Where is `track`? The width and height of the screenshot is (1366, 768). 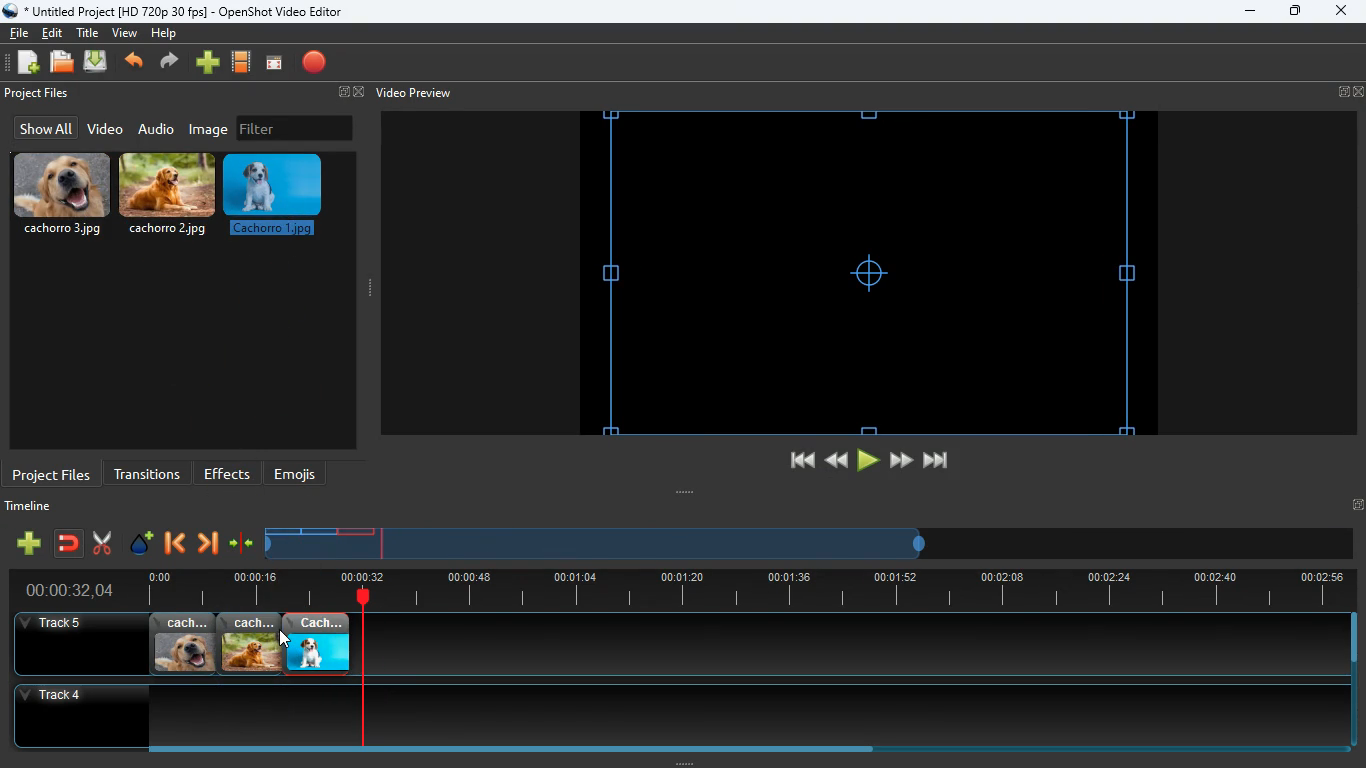
track is located at coordinates (663, 715).